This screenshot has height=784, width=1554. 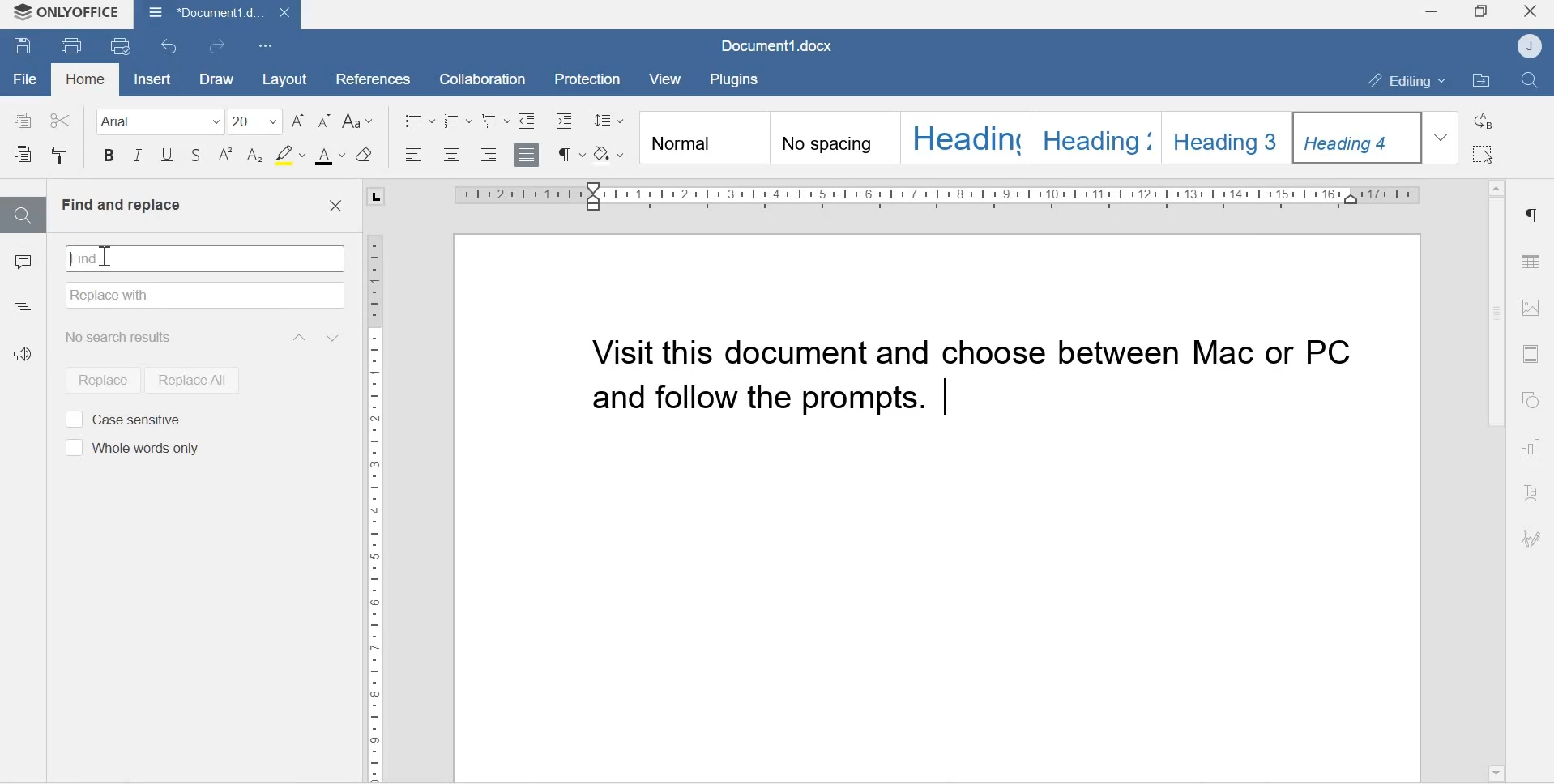 What do you see at coordinates (96, 380) in the screenshot?
I see `Replace` at bounding box center [96, 380].